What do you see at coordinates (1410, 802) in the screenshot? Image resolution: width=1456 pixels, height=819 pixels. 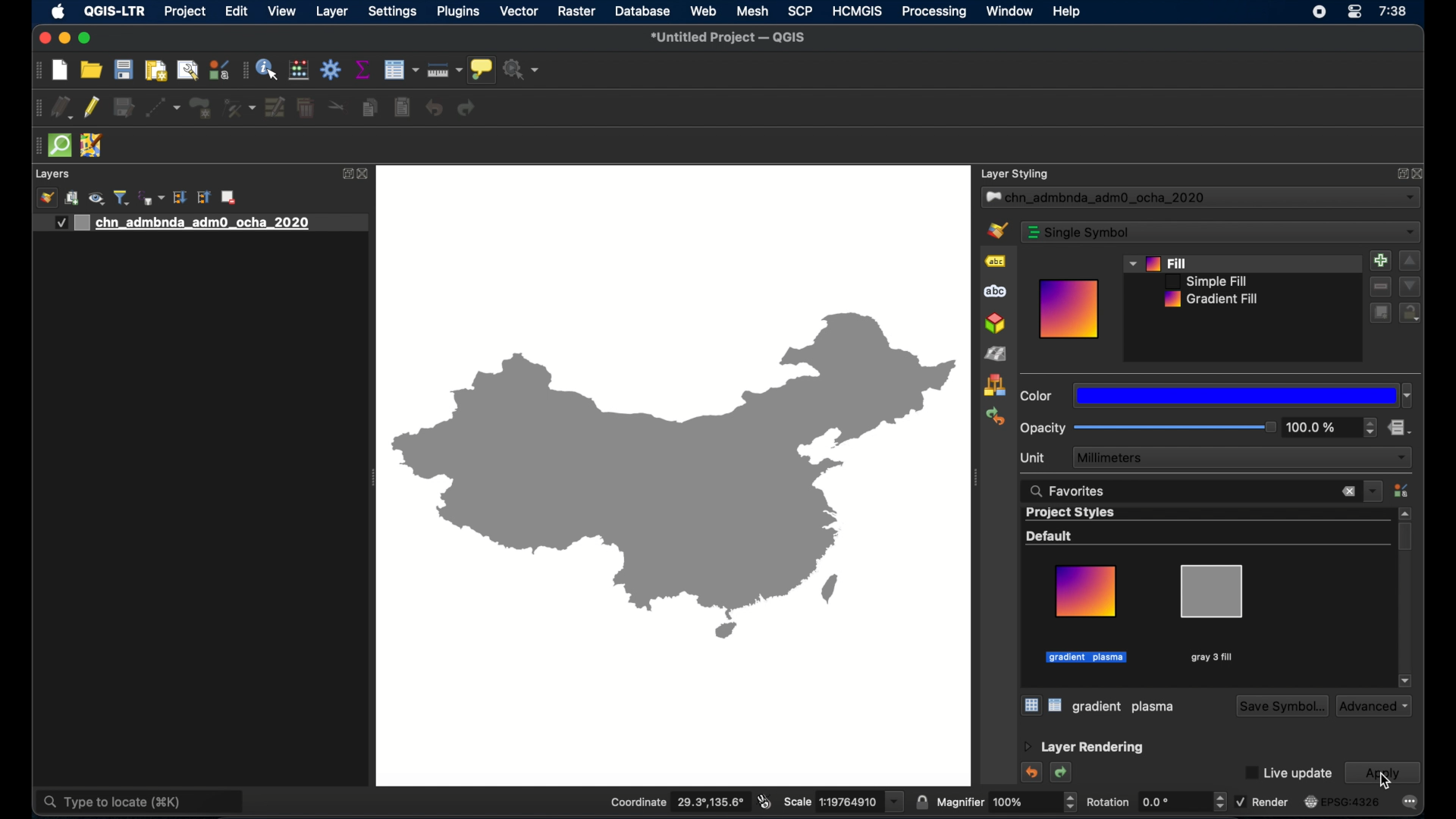 I see `messages` at bounding box center [1410, 802].